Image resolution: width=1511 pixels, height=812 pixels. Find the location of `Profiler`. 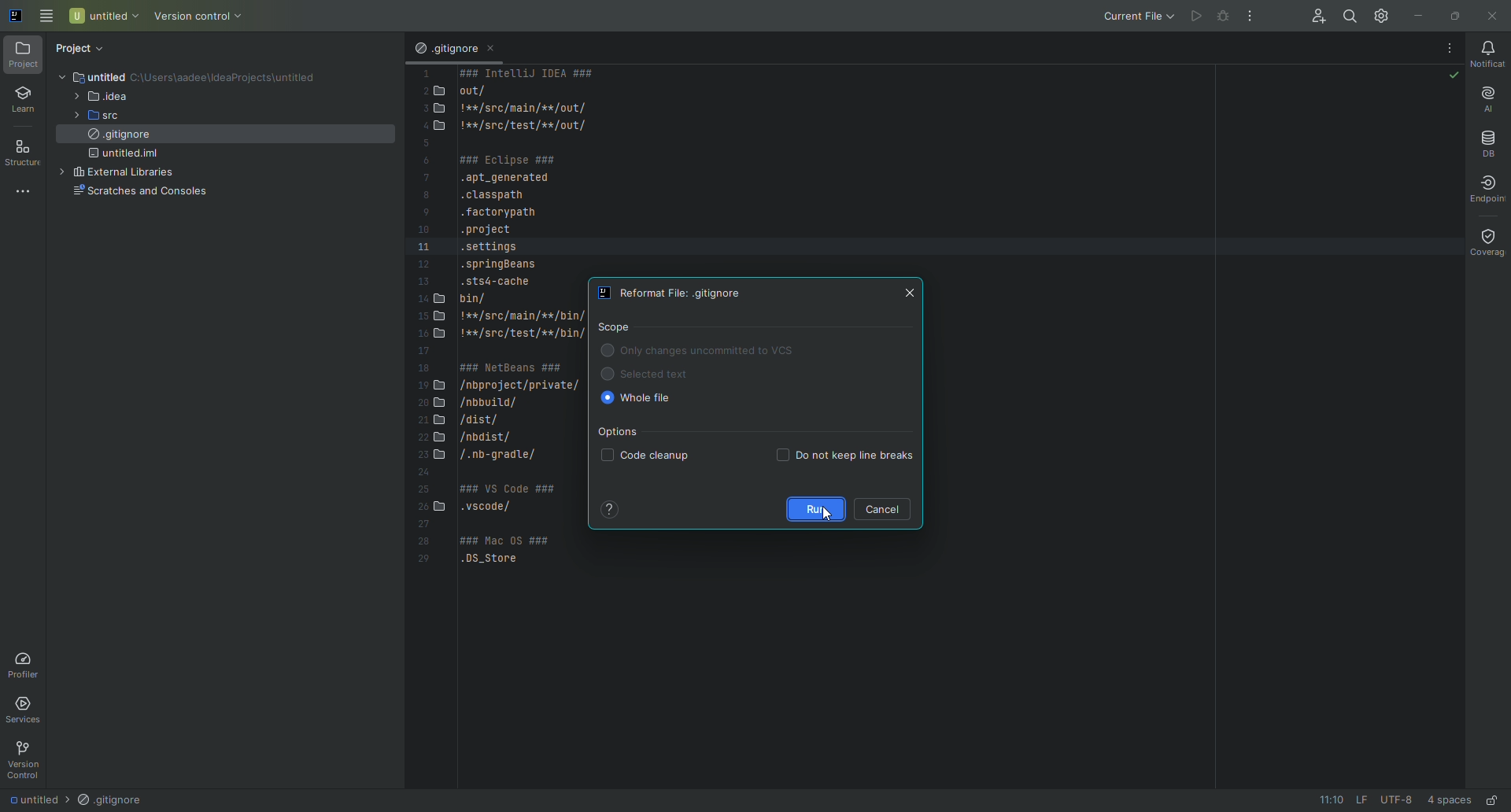

Profiler is located at coordinates (26, 664).